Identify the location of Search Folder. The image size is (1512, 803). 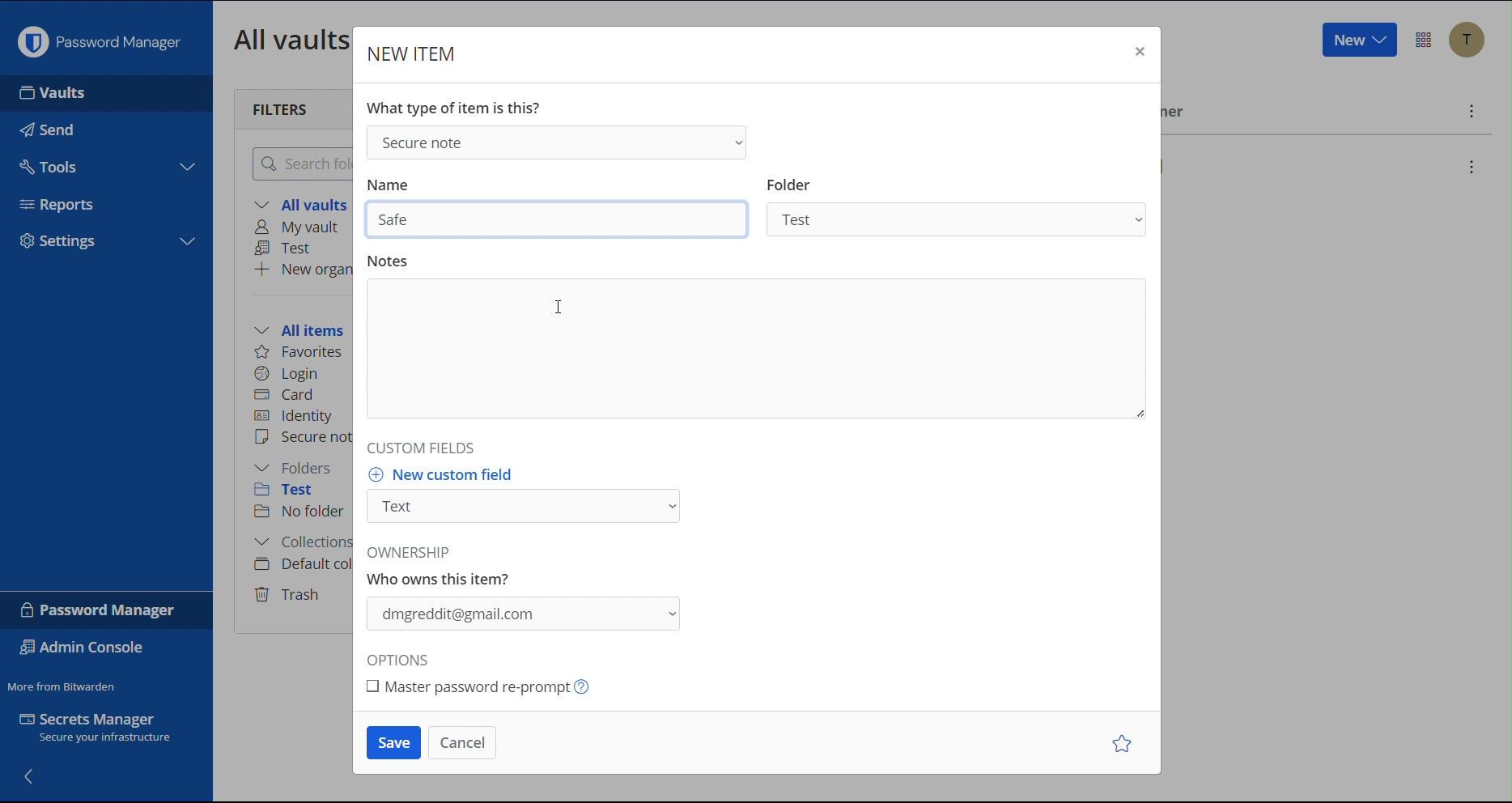
(298, 163).